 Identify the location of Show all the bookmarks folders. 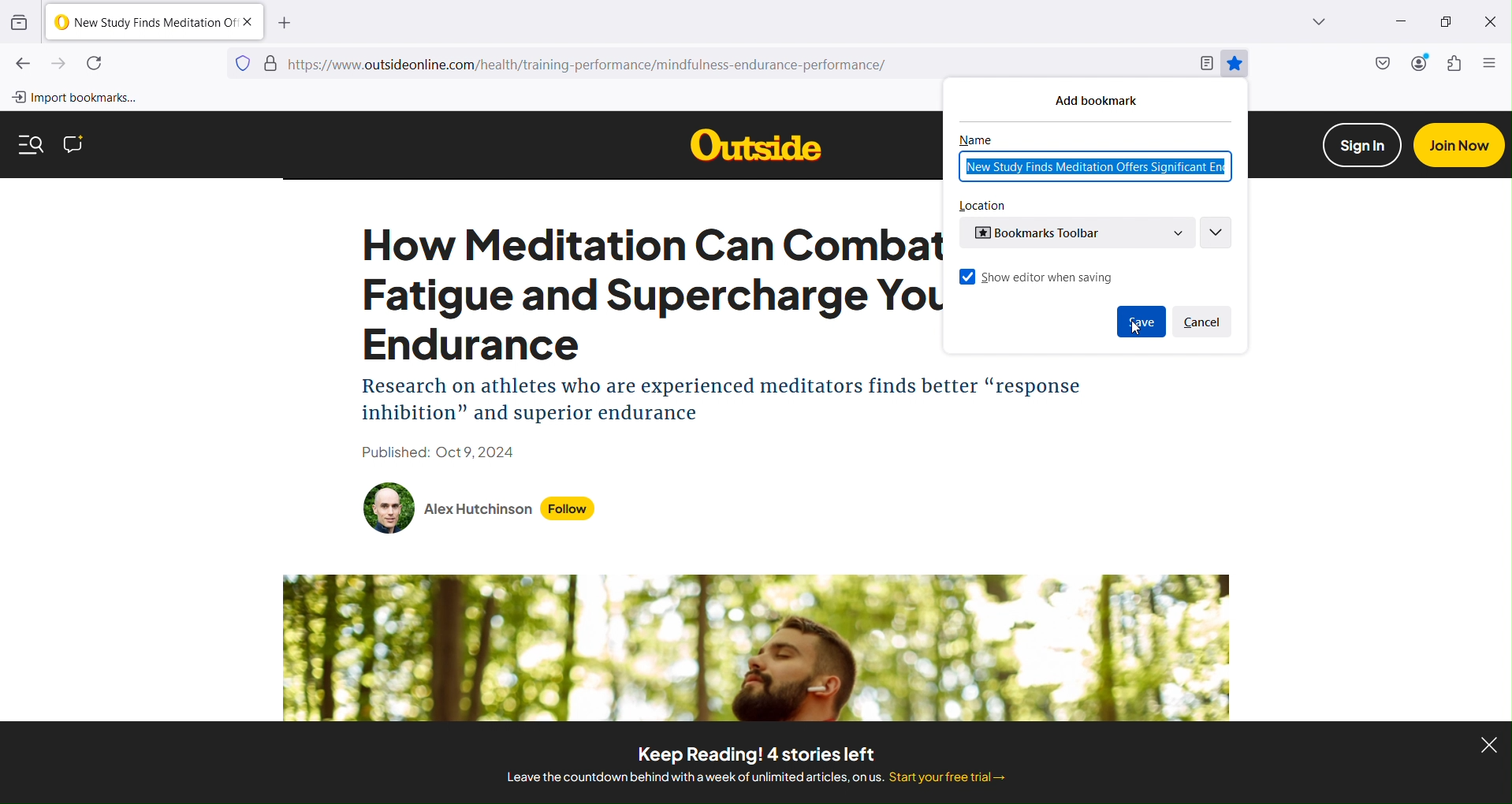
(1215, 233).